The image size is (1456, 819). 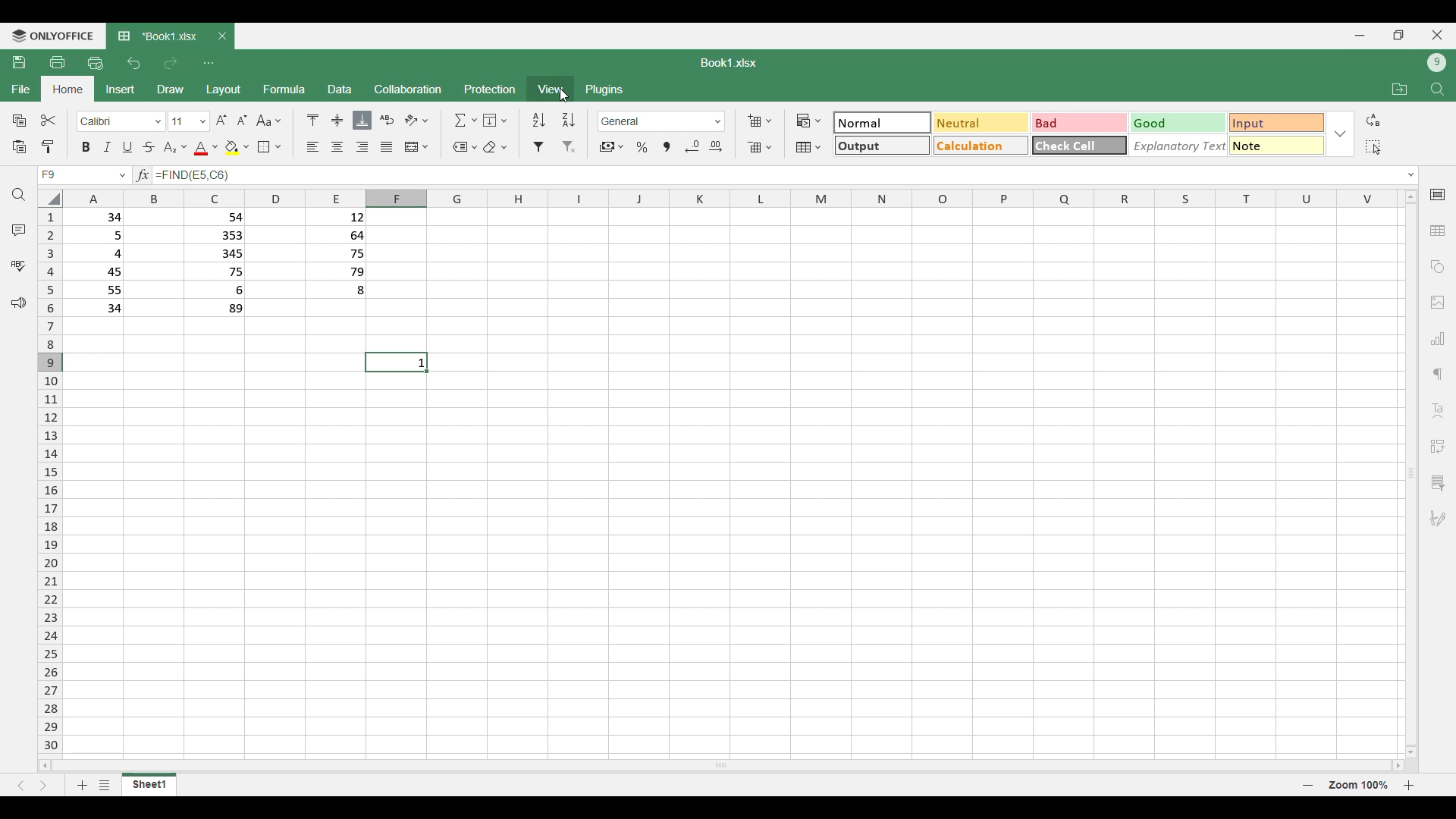 I want to click on Close tab, so click(x=222, y=36).